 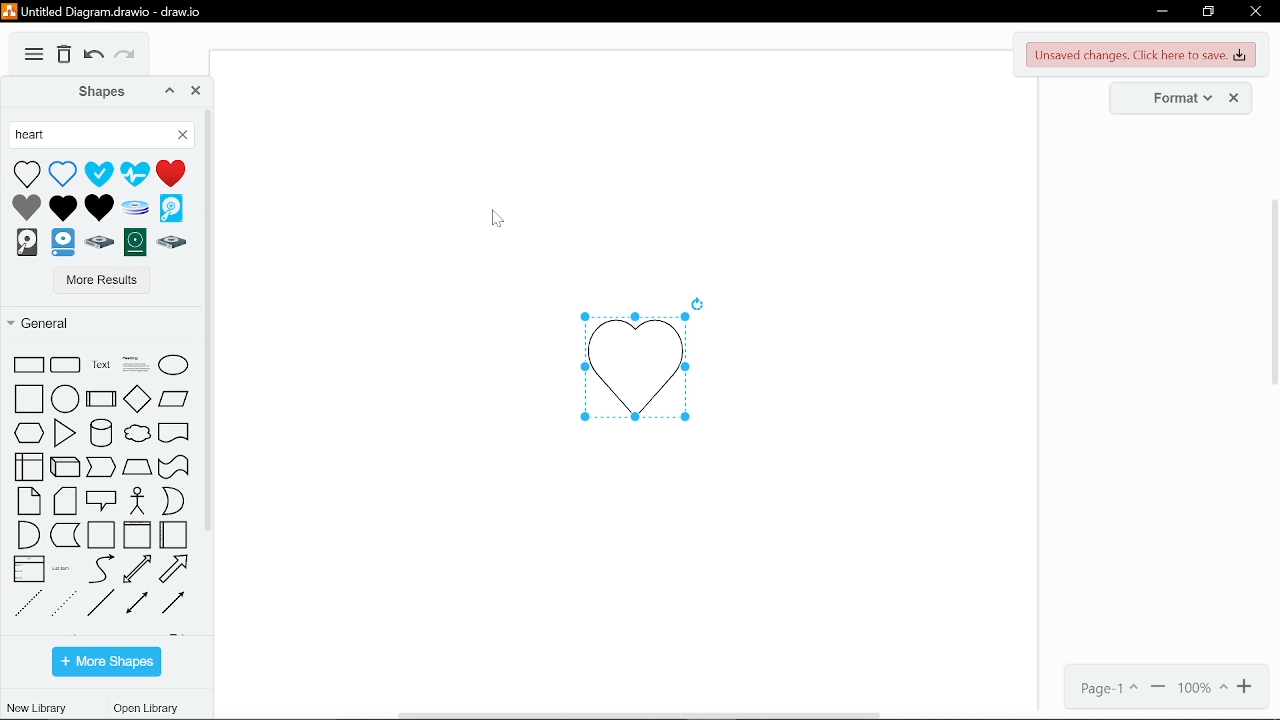 I want to click on healthy, so click(x=98, y=173).